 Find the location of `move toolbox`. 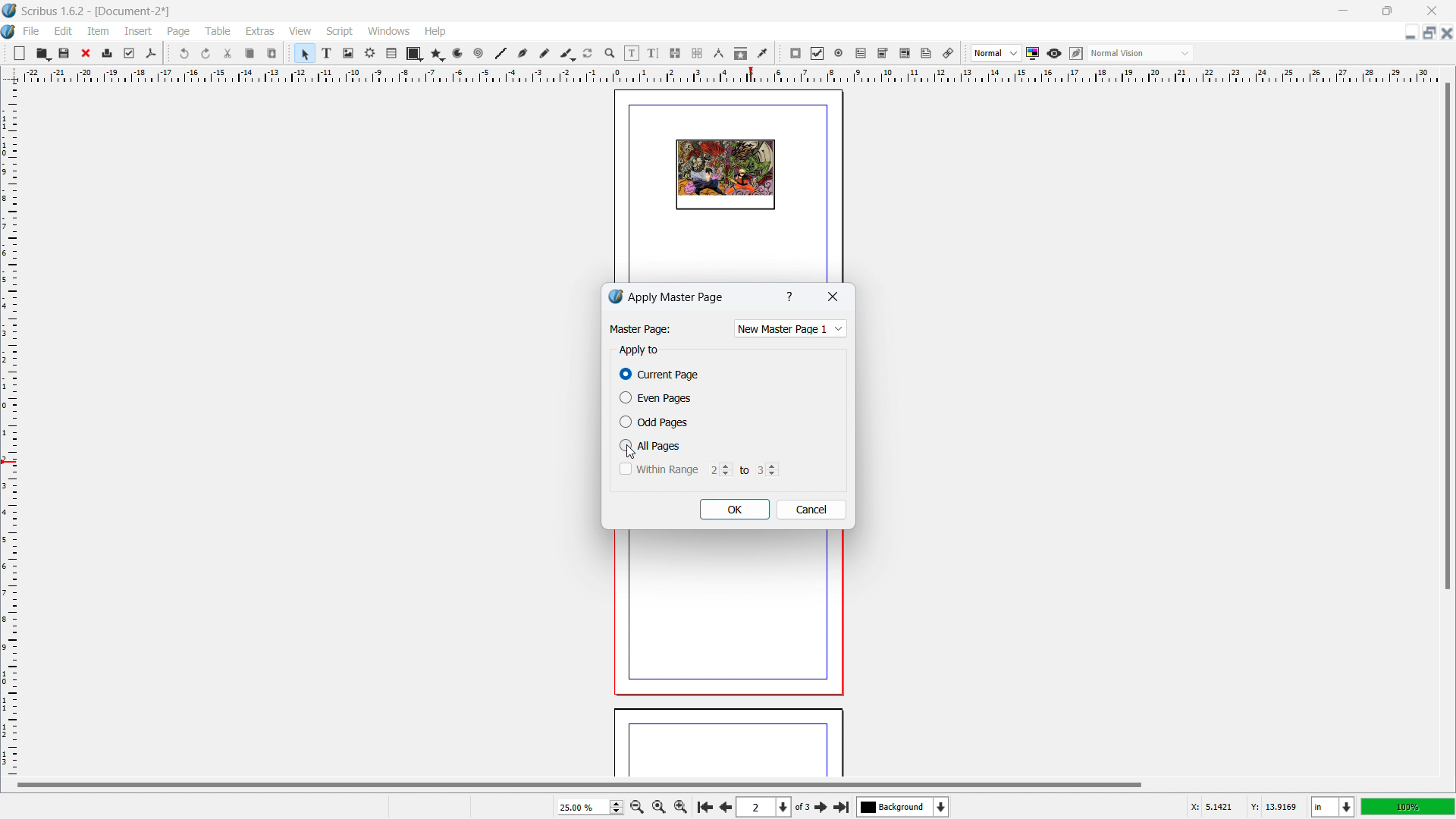

move toolbox is located at coordinates (5, 52).